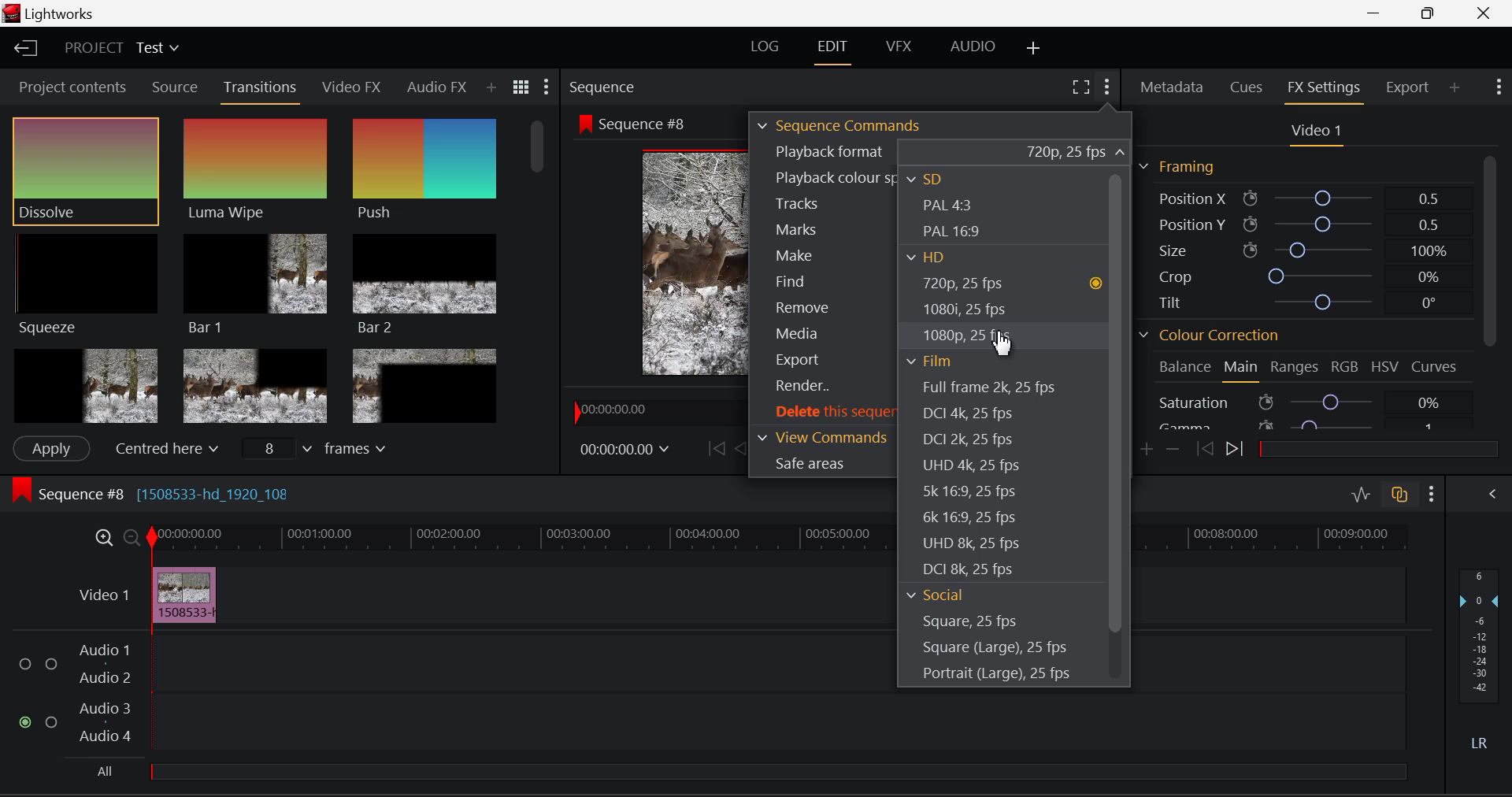 This screenshot has width=1512, height=797. I want to click on Video FX, so click(353, 88).